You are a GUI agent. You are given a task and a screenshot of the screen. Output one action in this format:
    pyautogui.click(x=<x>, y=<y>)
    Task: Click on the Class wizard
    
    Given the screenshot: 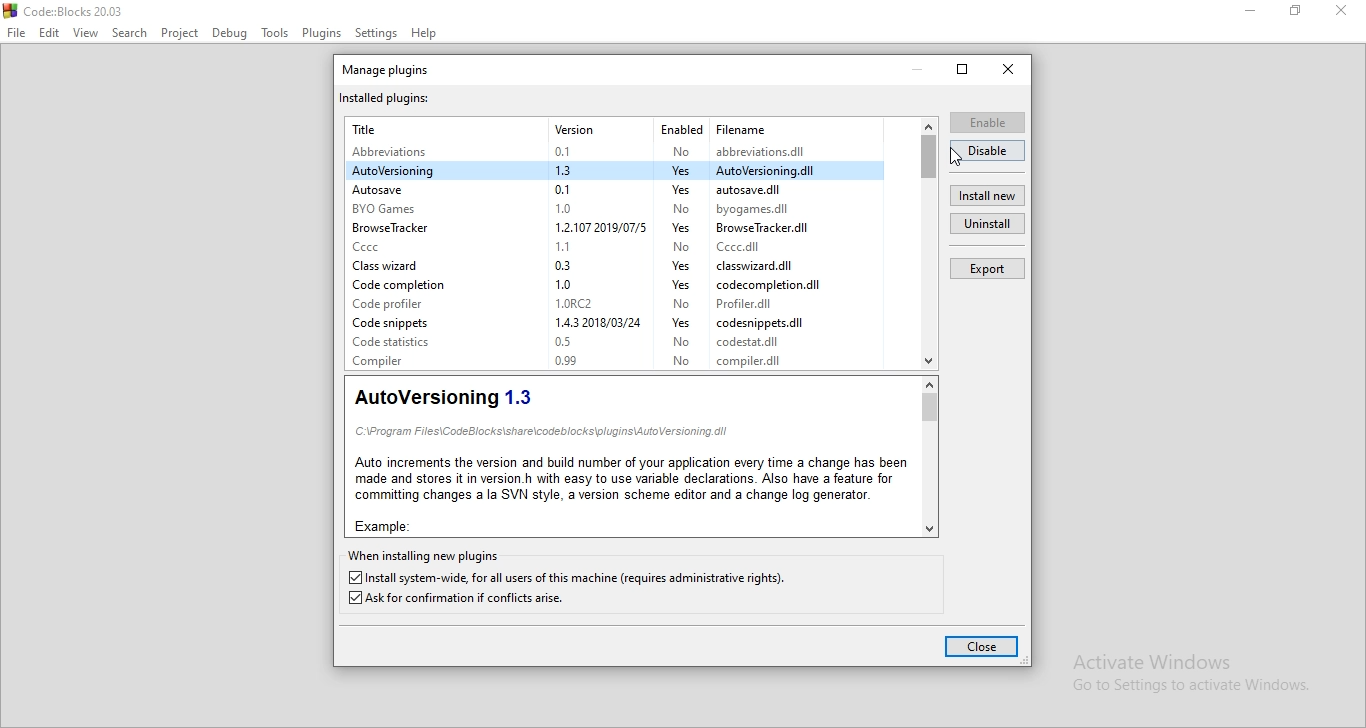 What is the action you would take?
    pyautogui.click(x=396, y=266)
    